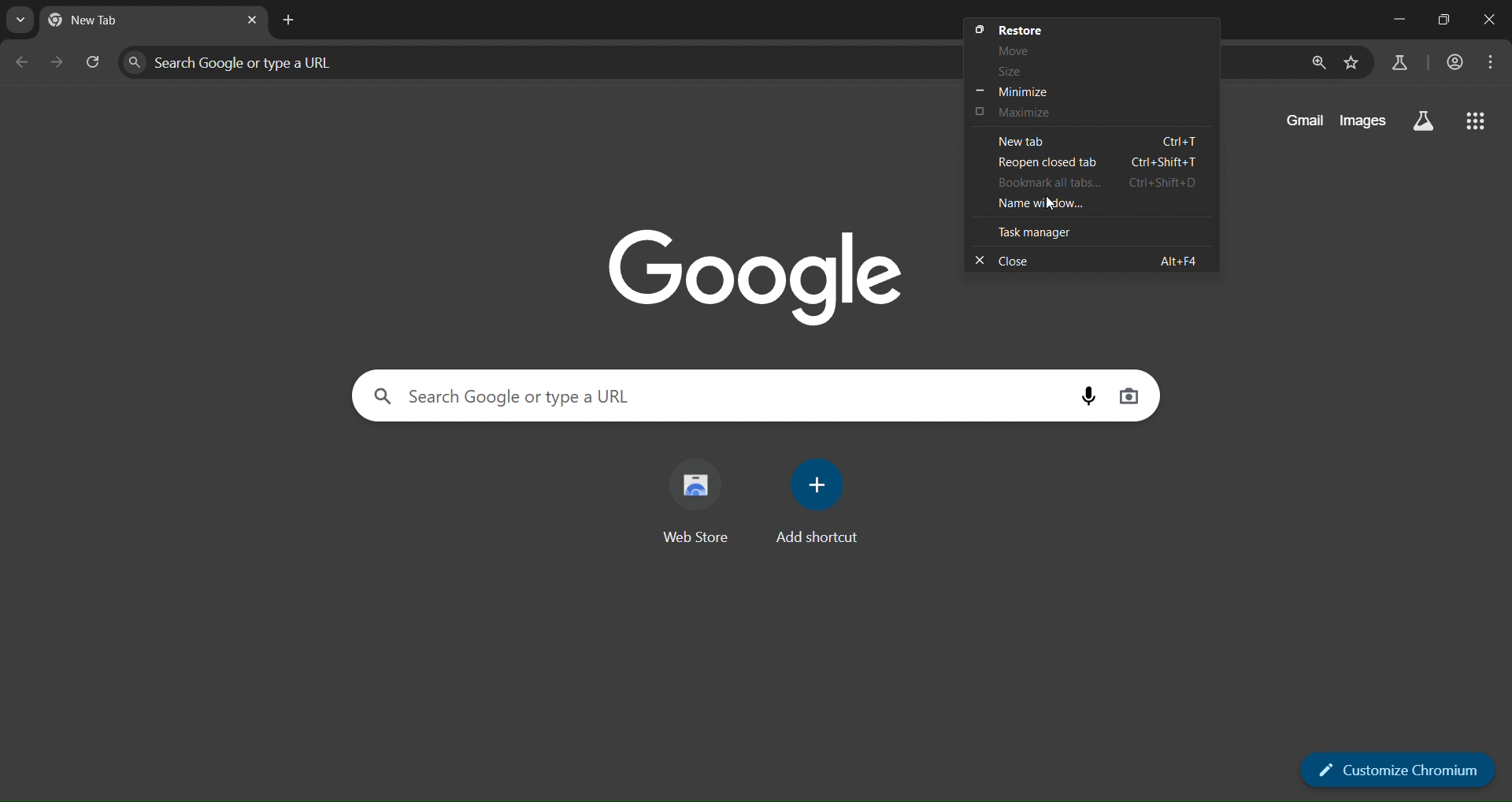 This screenshot has width=1512, height=802. Describe the element at coordinates (1008, 49) in the screenshot. I see `move` at that location.